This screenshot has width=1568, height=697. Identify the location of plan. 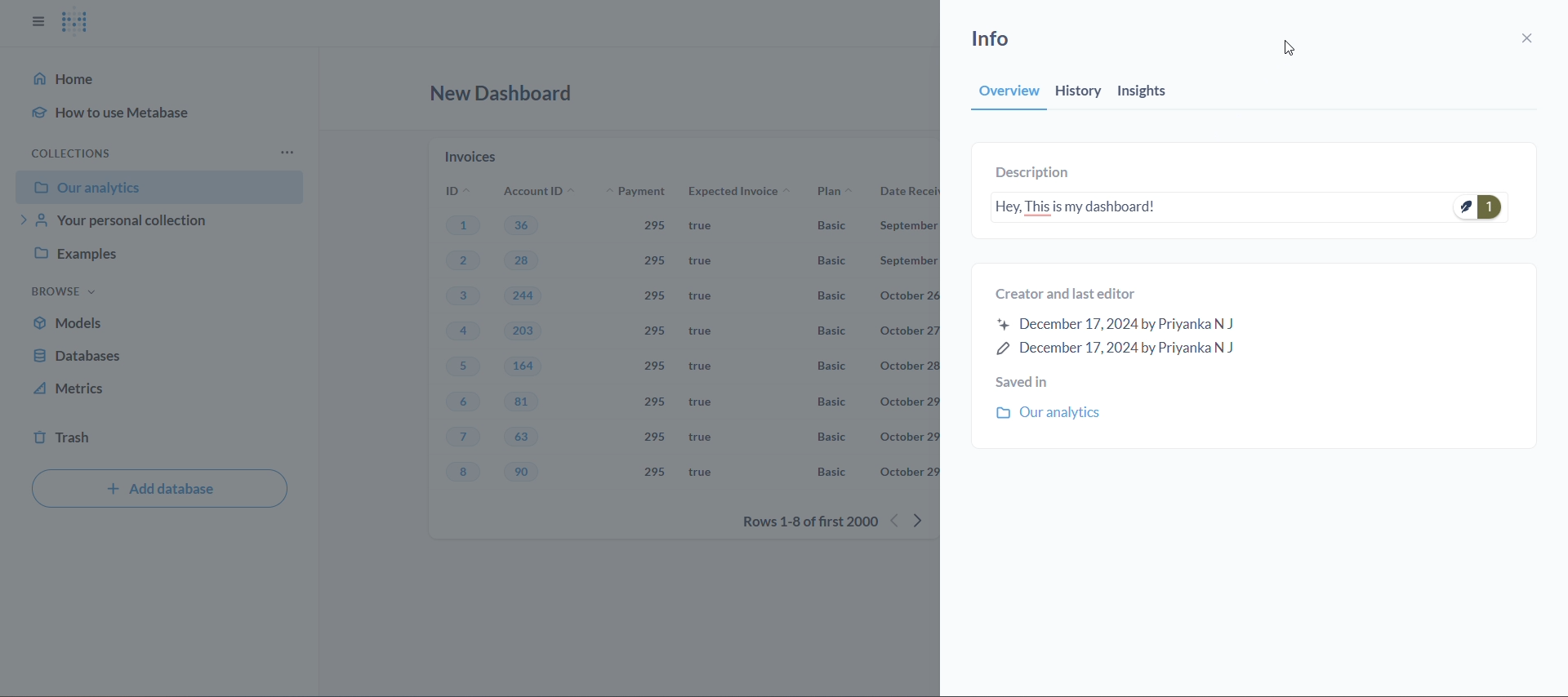
(831, 193).